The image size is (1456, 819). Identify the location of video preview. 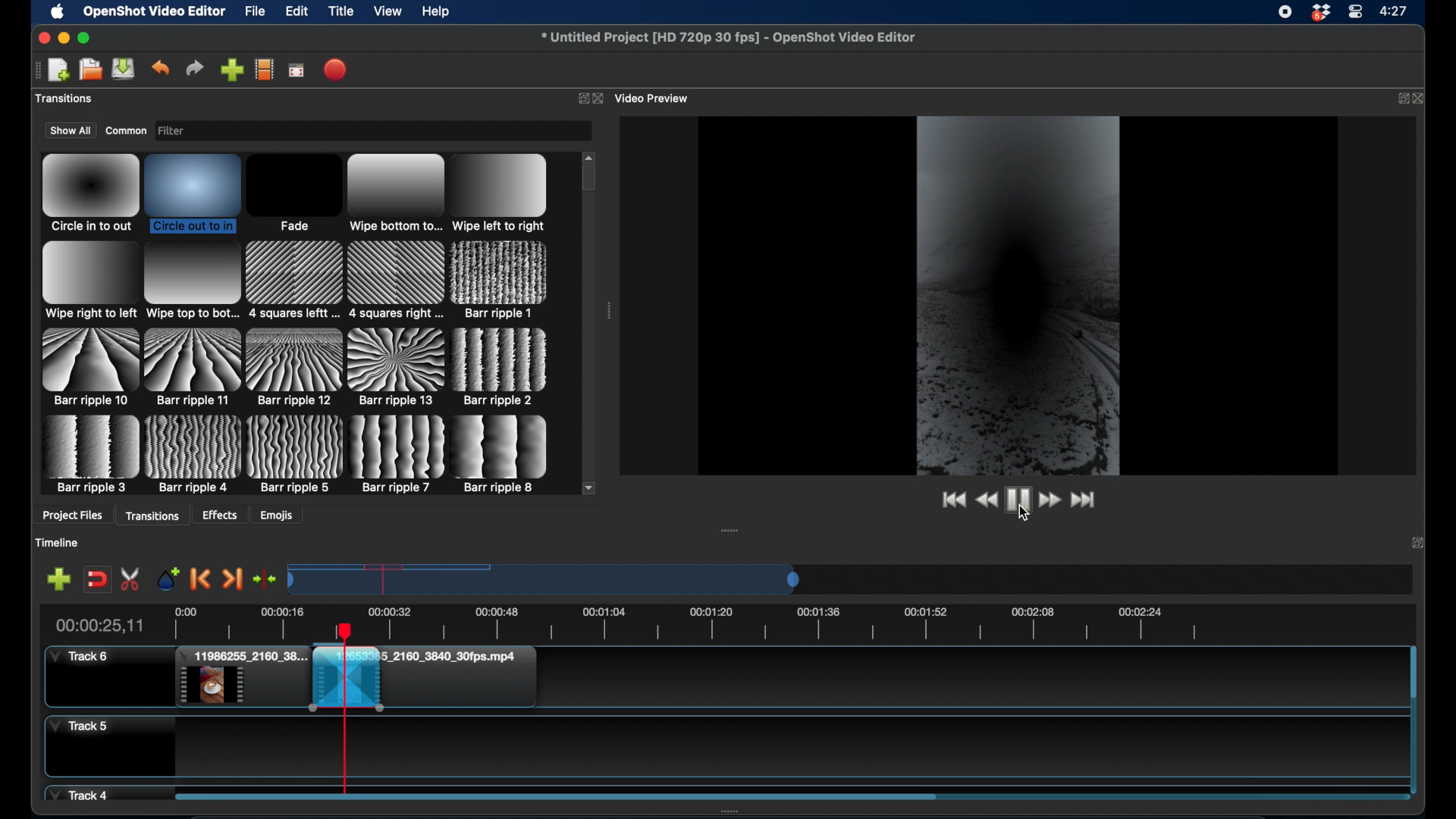
(654, 98).